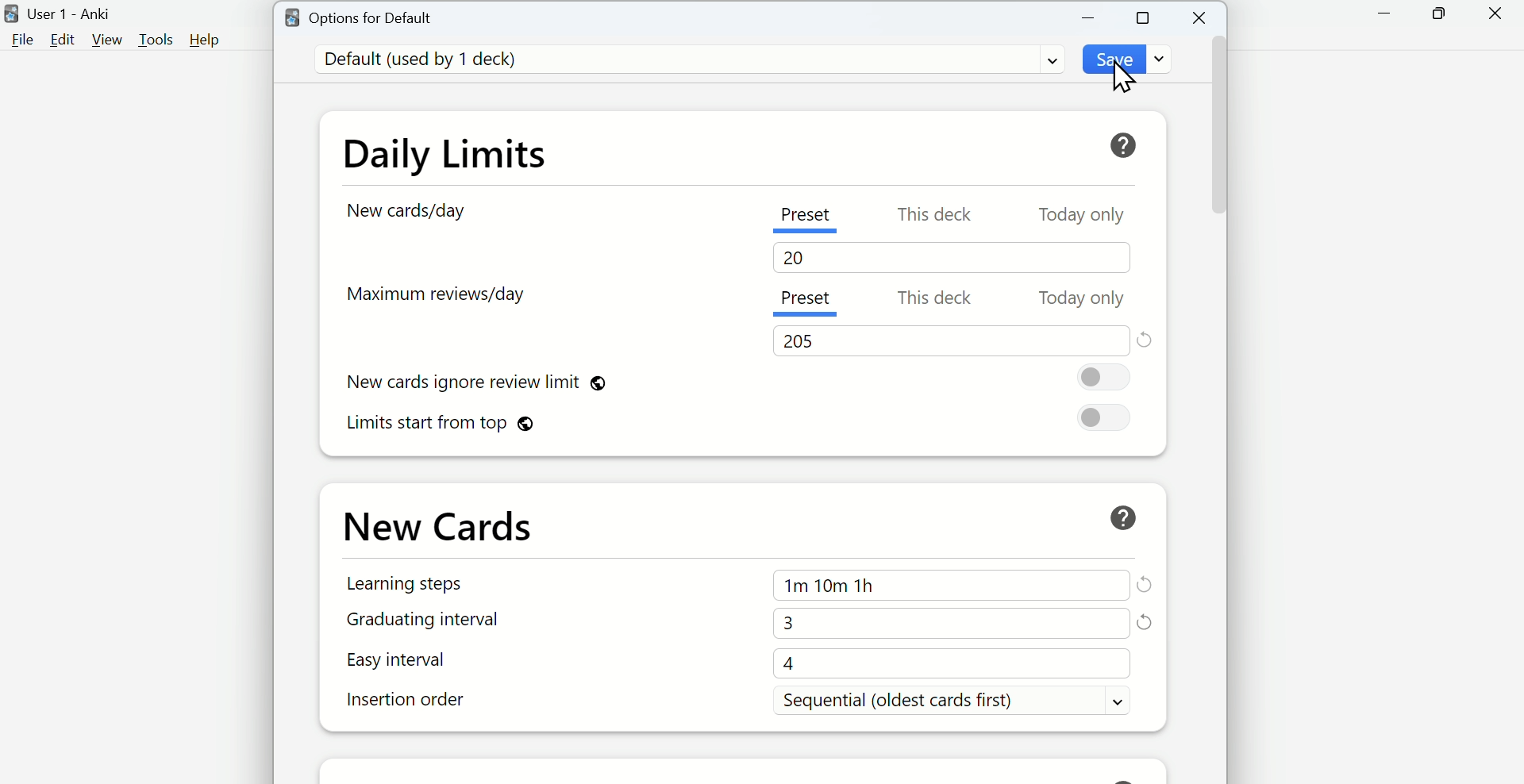 The height and width of the screenshot is (784, 1524). What do you see at coordinates (937, 215) in the screenshot?
I see `This deck` at bounding box center [937, 215].